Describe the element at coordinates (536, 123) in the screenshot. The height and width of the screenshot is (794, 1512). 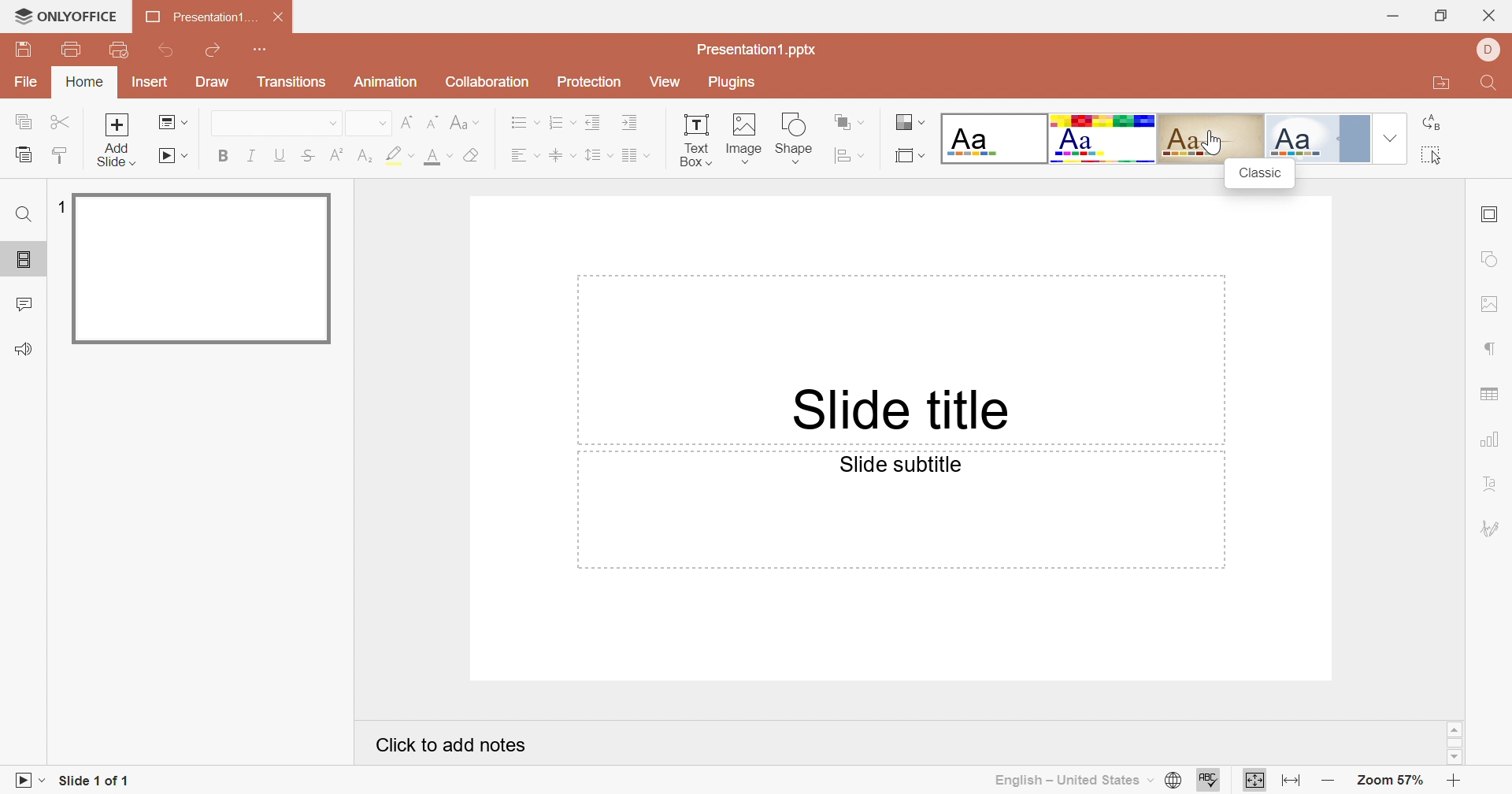
I see `Drop Down` at that location.